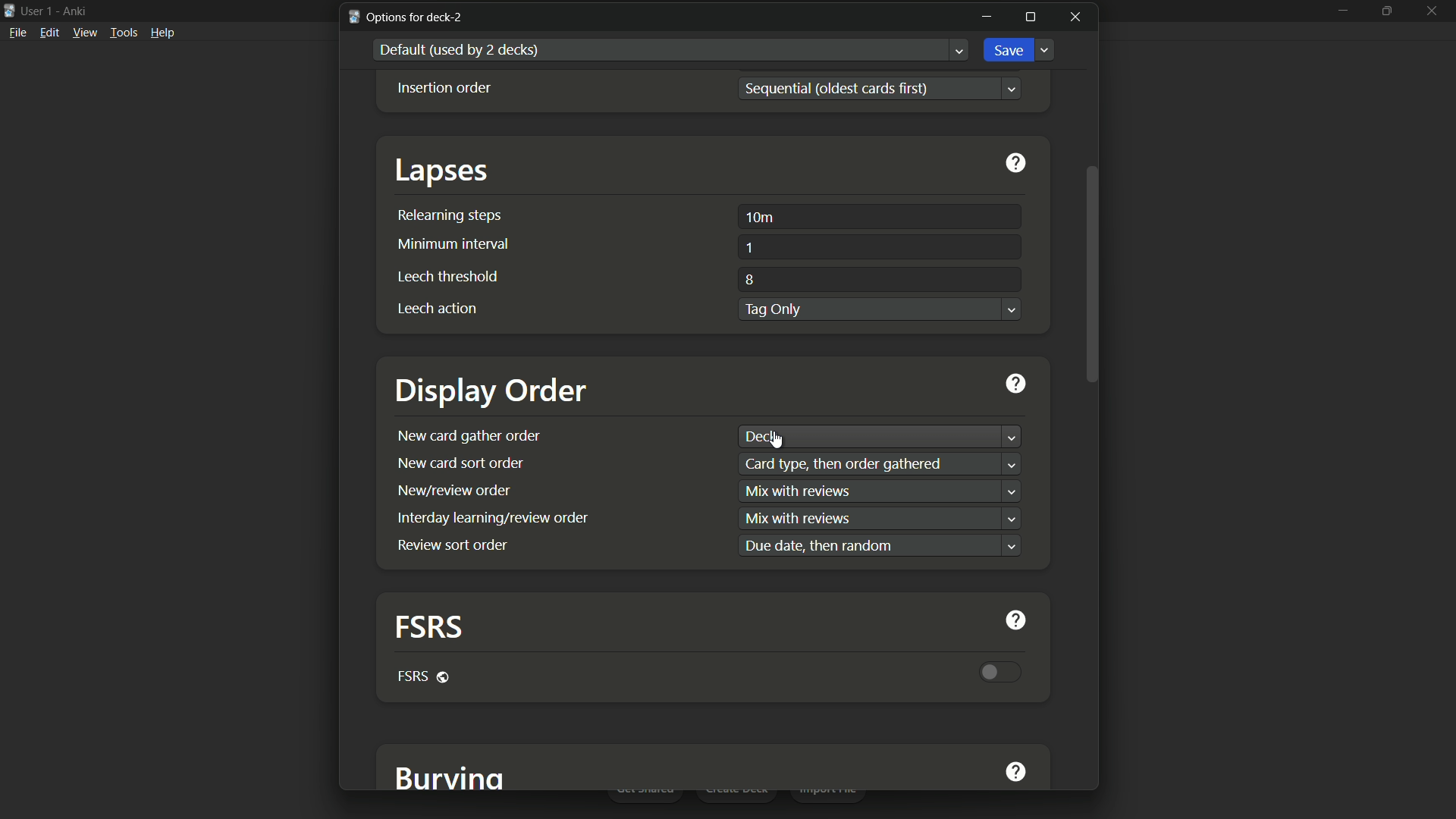  Describe the element at coordinates (1018, 382) in the screenshot. I see `get help` at that location.